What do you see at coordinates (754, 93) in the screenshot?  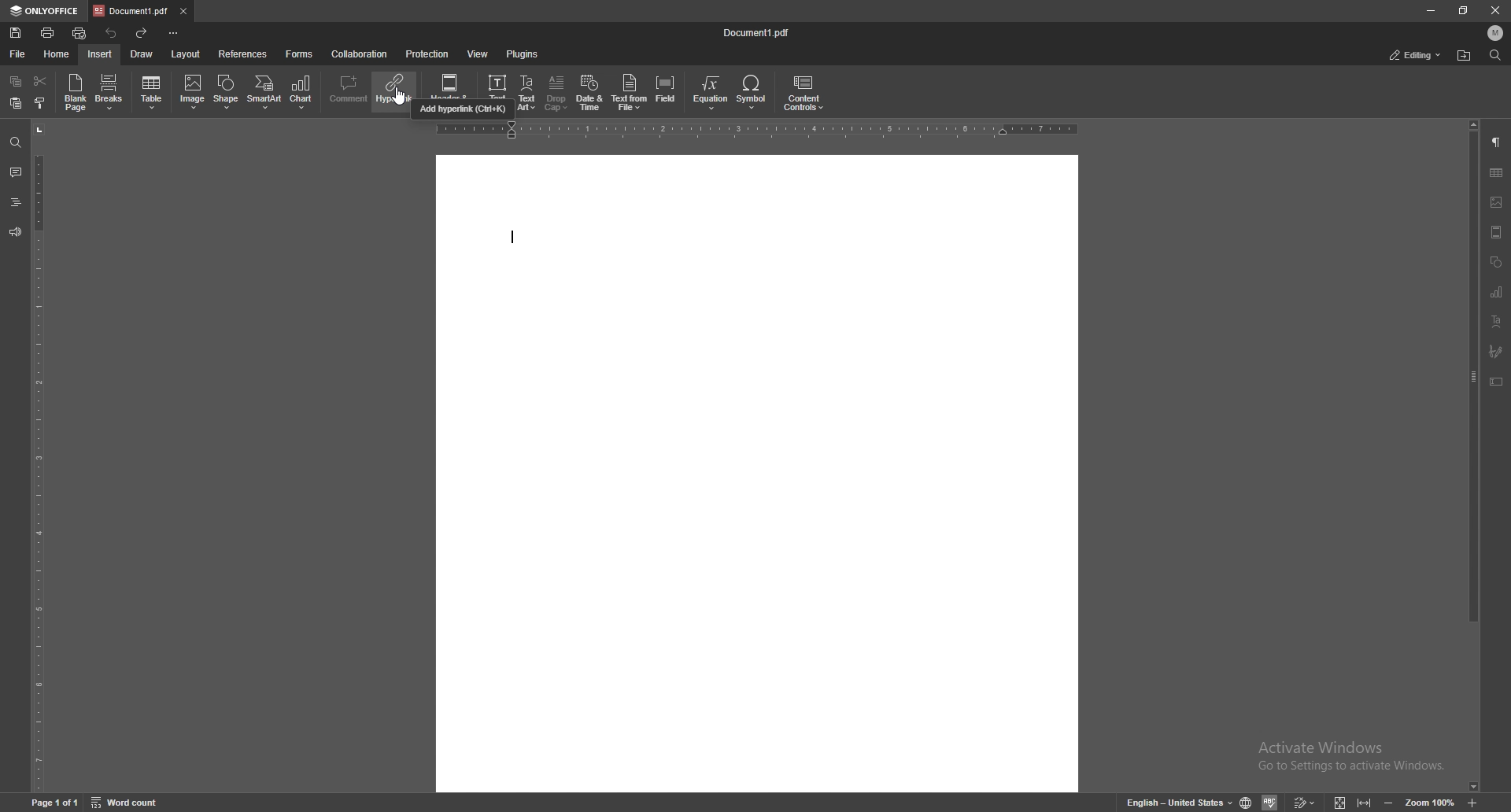 I see `symbol` at bounding box center [754, 93].